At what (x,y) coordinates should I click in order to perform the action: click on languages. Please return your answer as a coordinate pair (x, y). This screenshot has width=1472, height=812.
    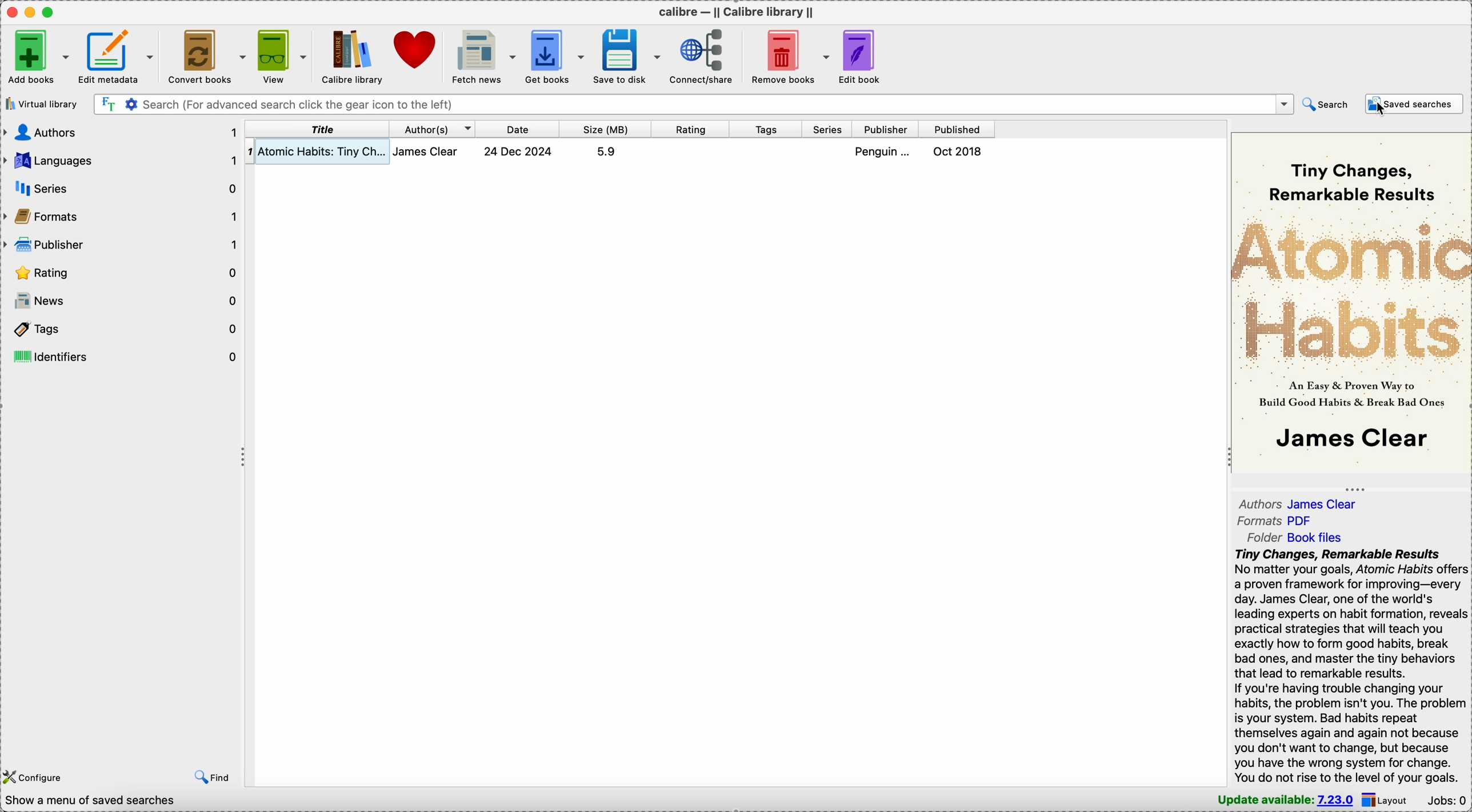
    Looking at the image, I should click on (121, 161).